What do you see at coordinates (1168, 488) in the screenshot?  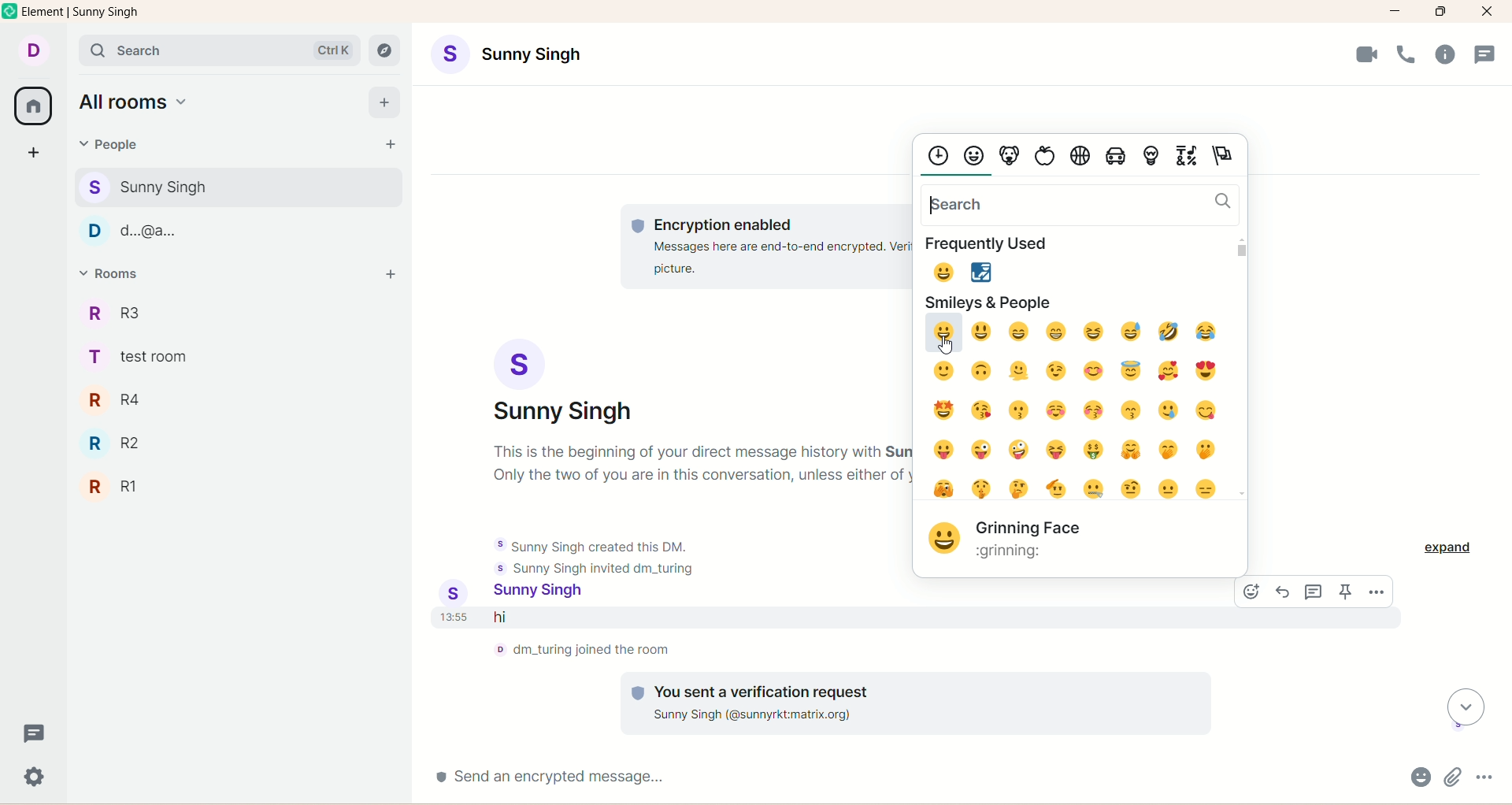 I see `Neutral face` at bounding box center [1168, 488].